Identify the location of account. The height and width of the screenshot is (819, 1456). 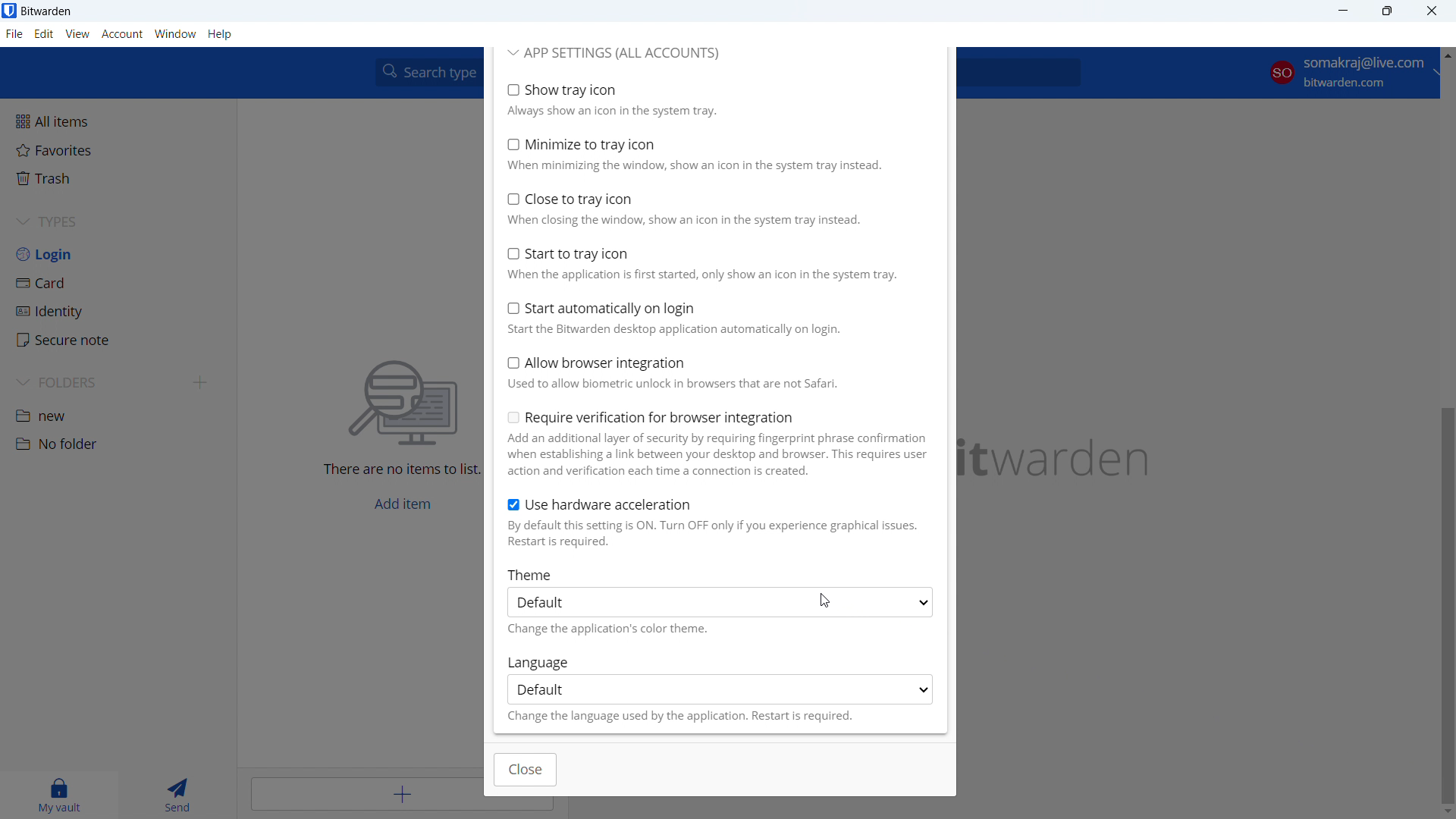
(122, 35).